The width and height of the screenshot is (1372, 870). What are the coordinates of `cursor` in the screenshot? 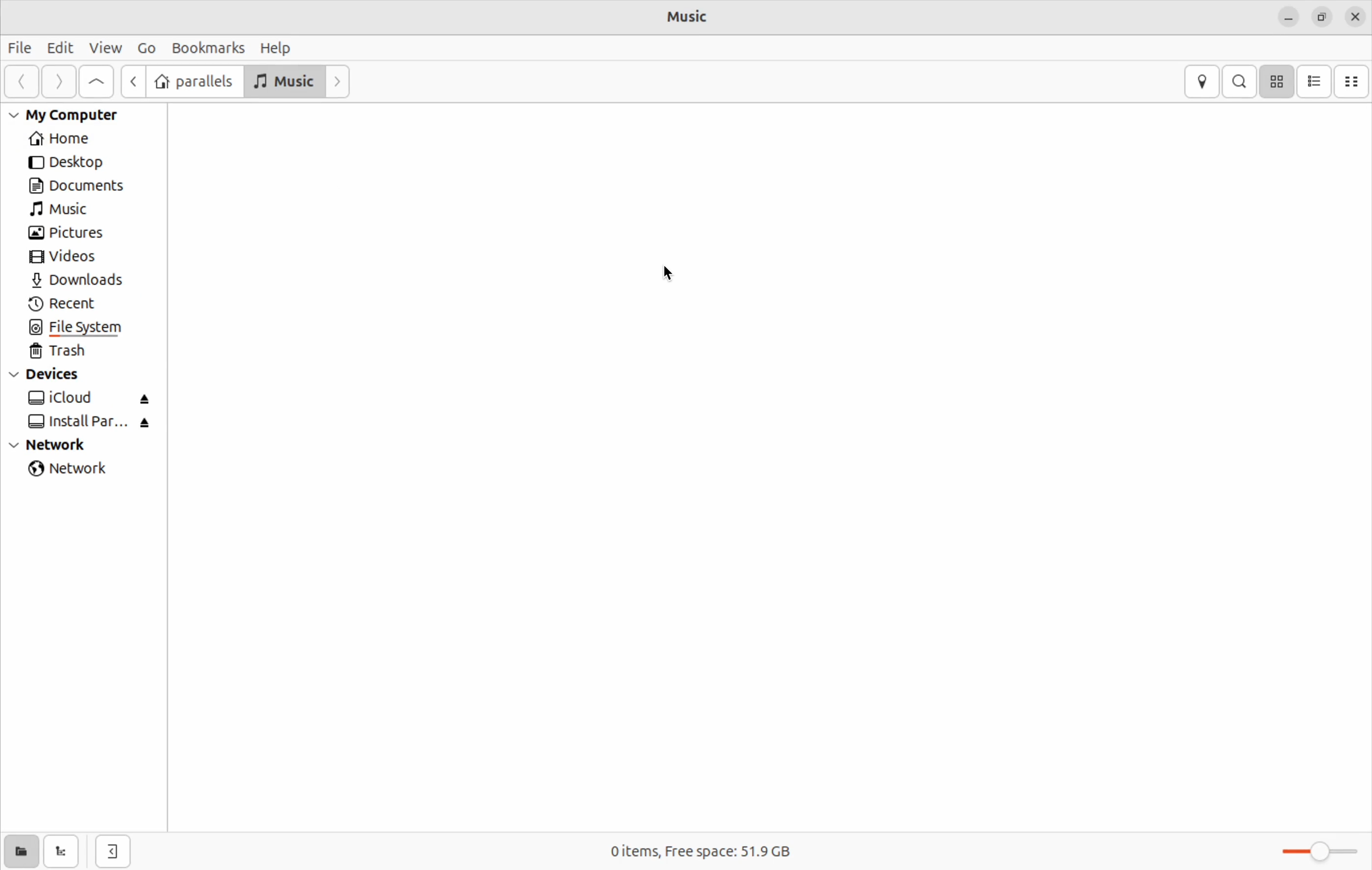 It's located at (672, 273).